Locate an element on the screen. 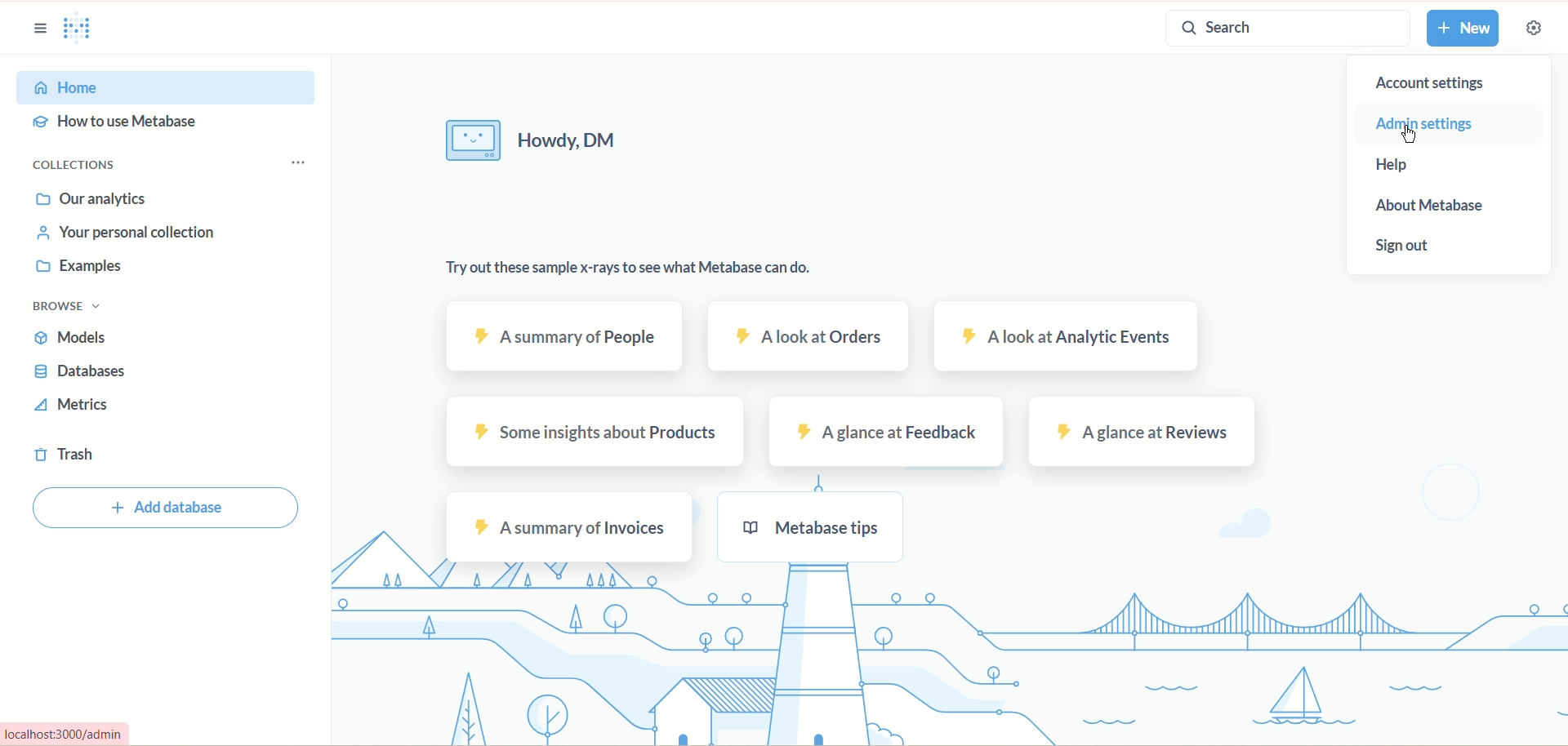 The height and width of the screenshot is (746, 1568). a glance at feedback is located at coordinates (884, 433).